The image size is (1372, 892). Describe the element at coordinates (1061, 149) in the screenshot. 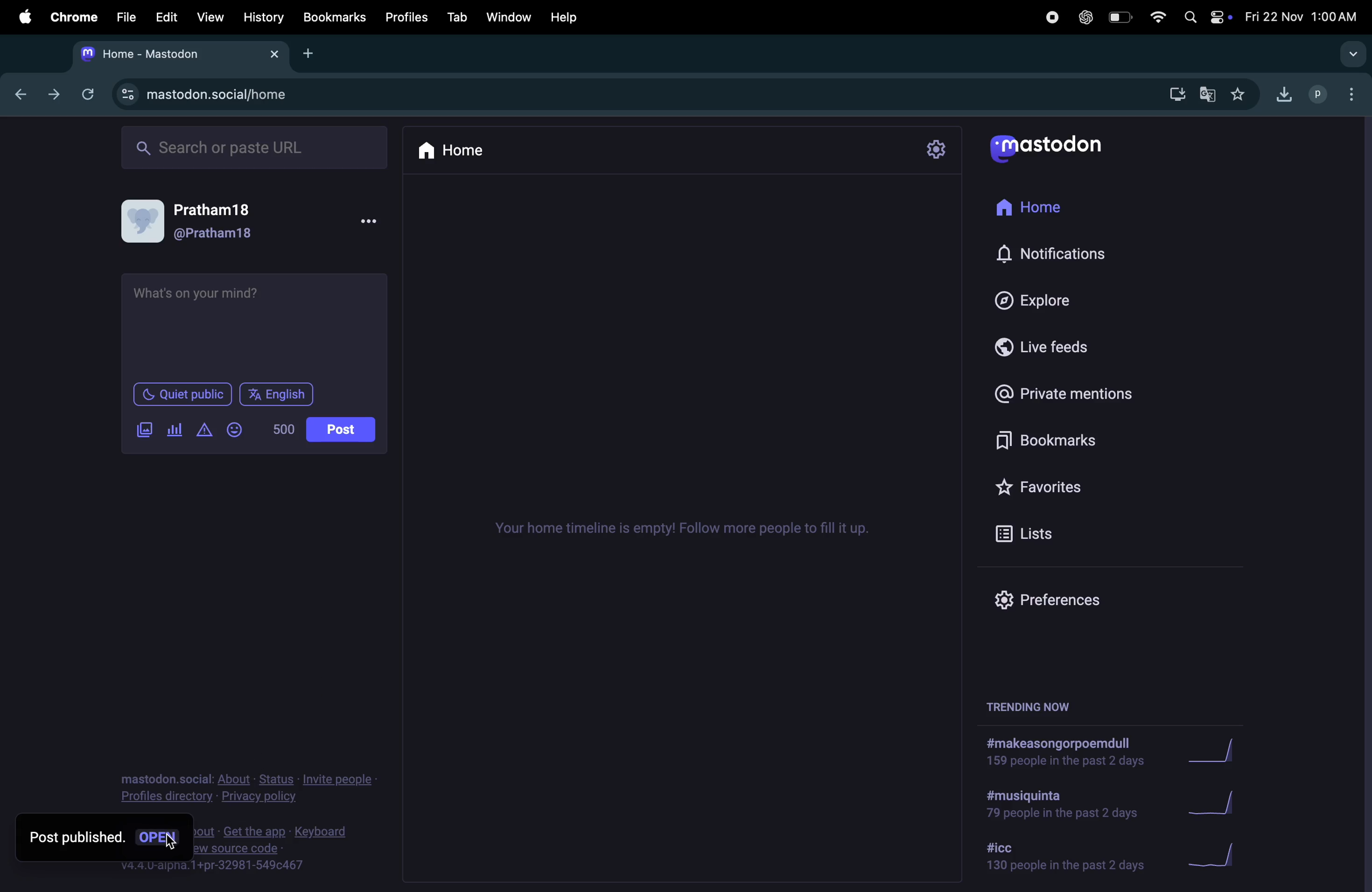

I see `mastodon` at that location.